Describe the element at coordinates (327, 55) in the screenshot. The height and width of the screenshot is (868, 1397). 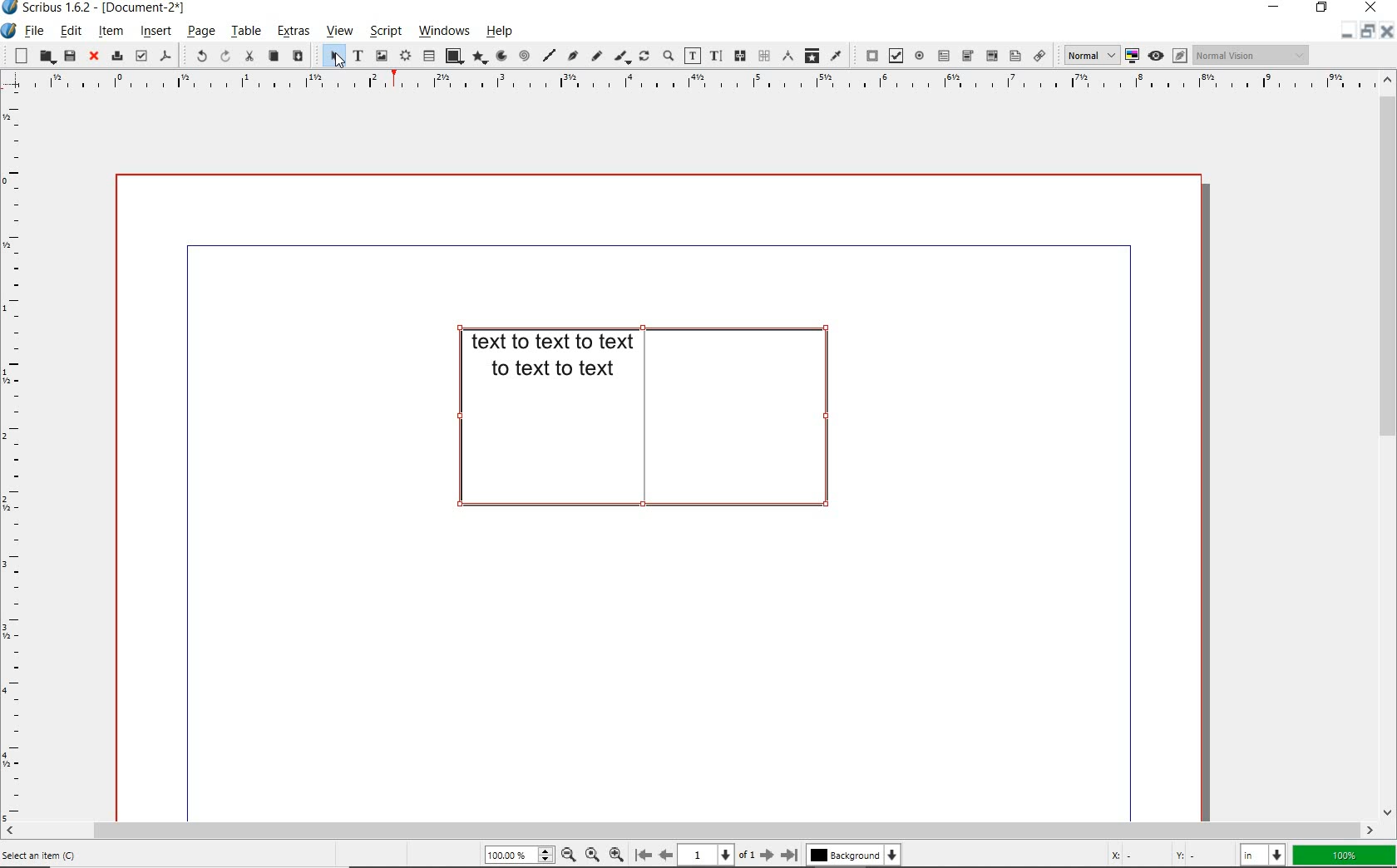
I see `select item` at that location.